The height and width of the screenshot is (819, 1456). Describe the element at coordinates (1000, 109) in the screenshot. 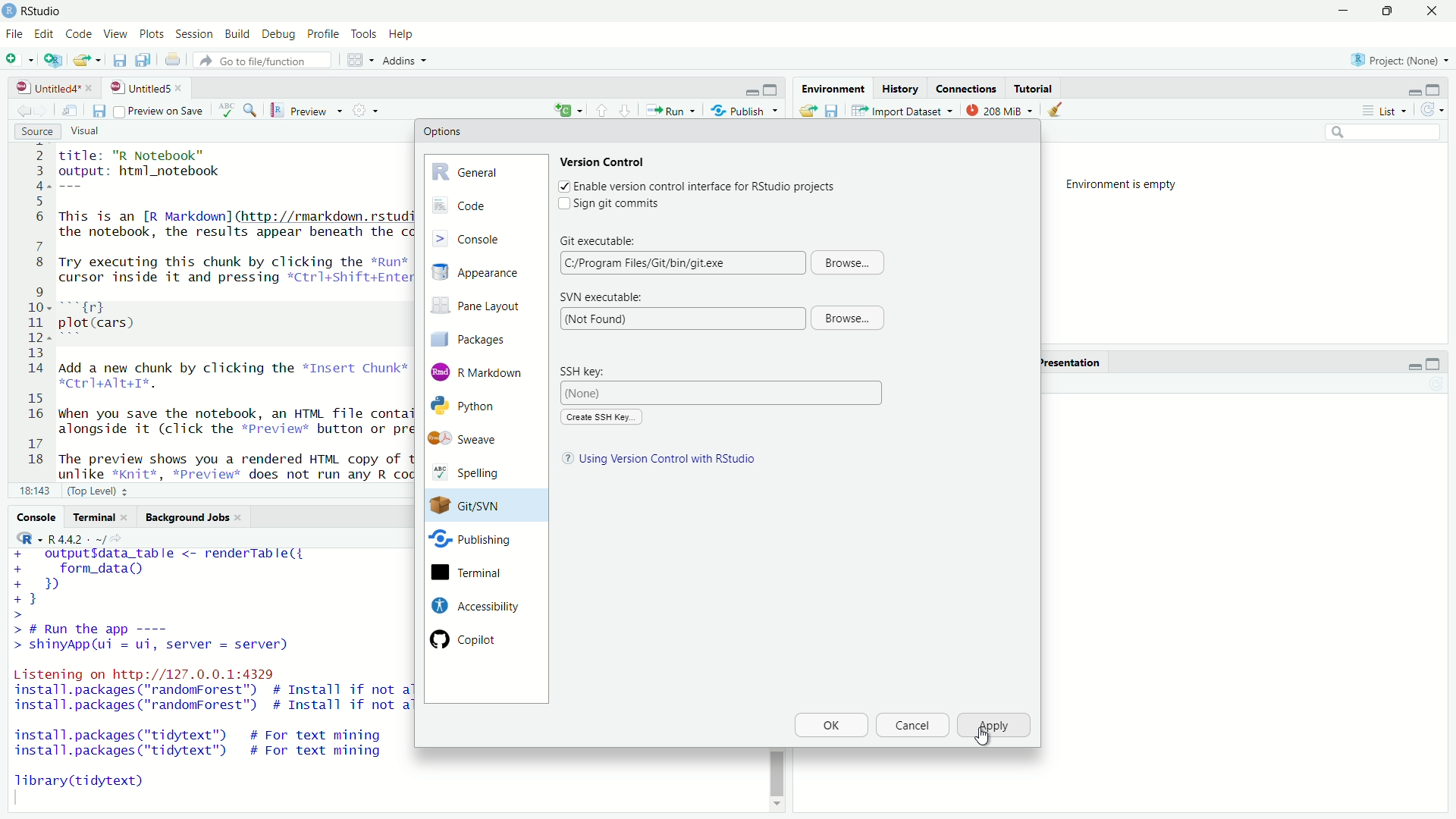

I see `208 ` at that location.